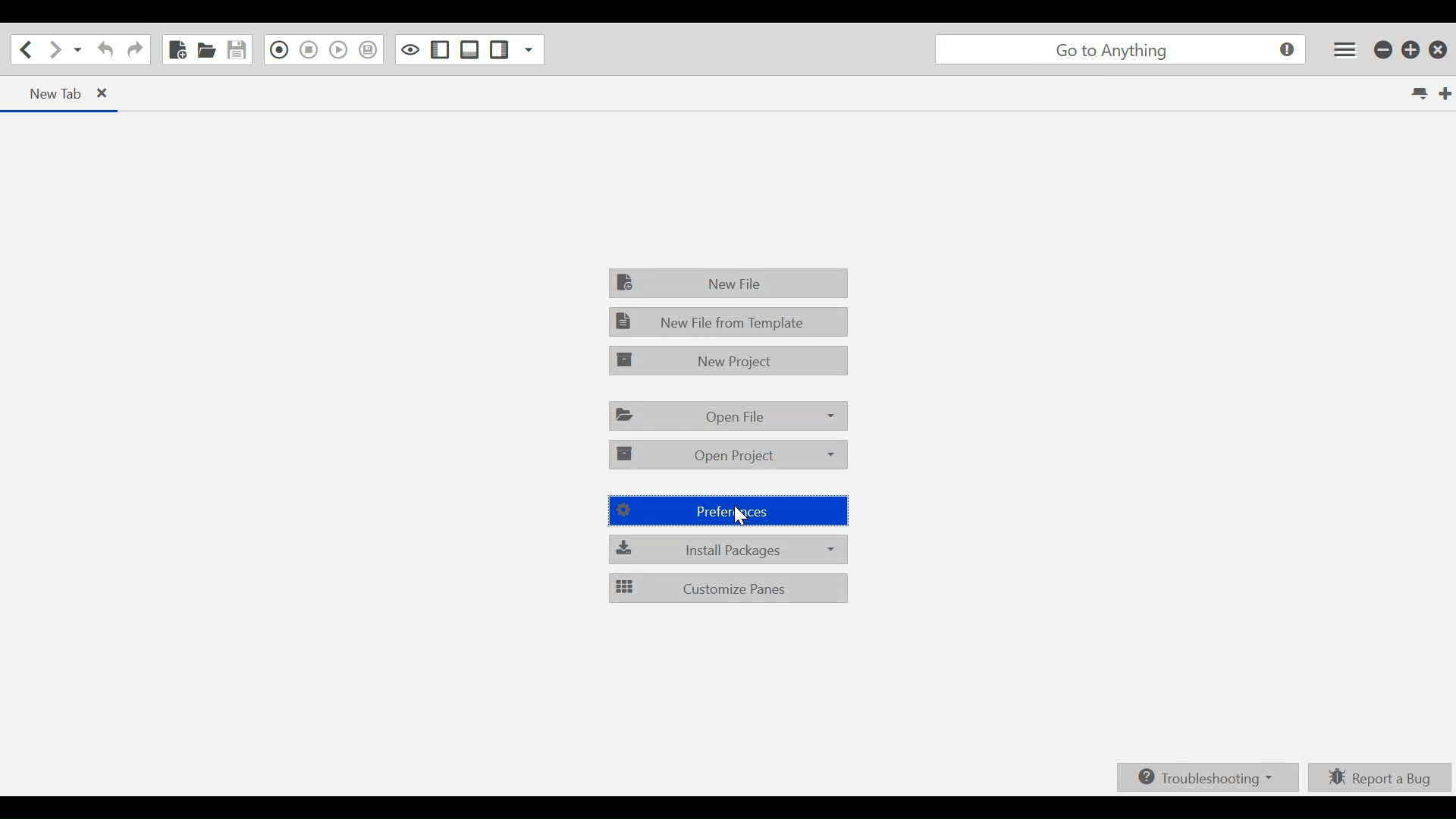  What do you see at coordinates (206, 49) in the screenshot?
I see `Open File` at bounding box center [206, 49].